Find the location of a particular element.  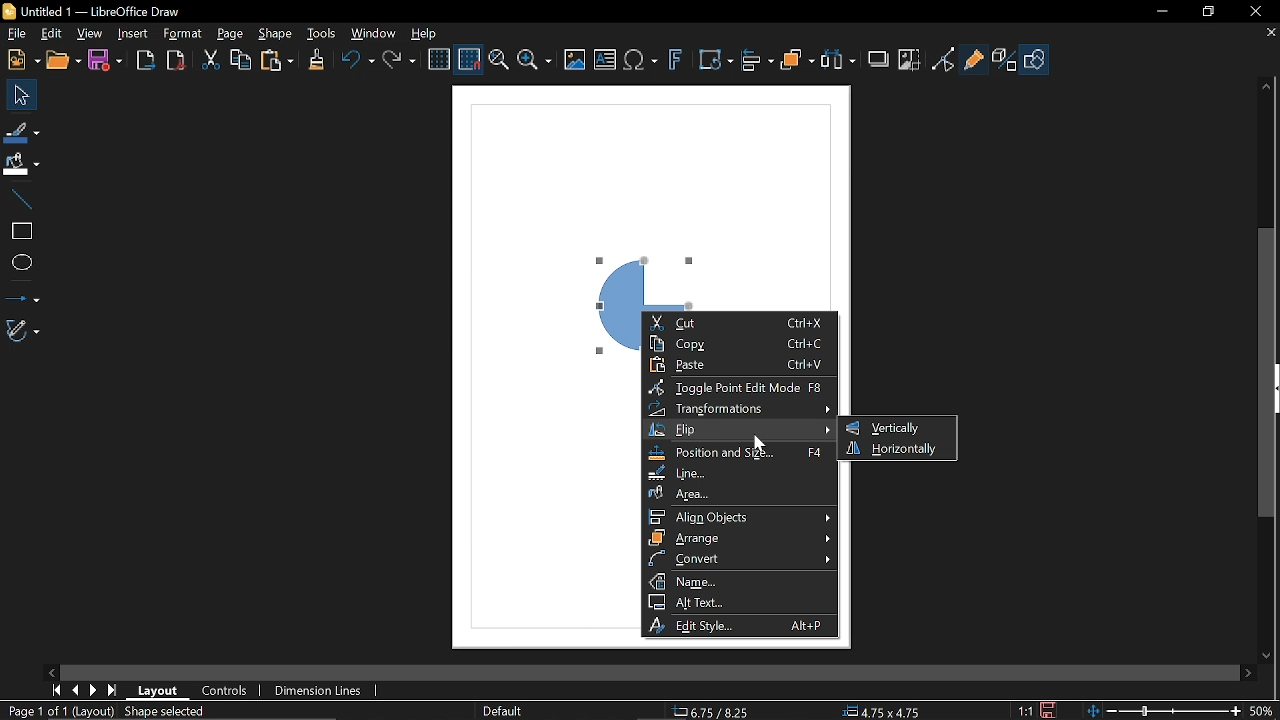

Restore down is located at coordinates (1207, 10).